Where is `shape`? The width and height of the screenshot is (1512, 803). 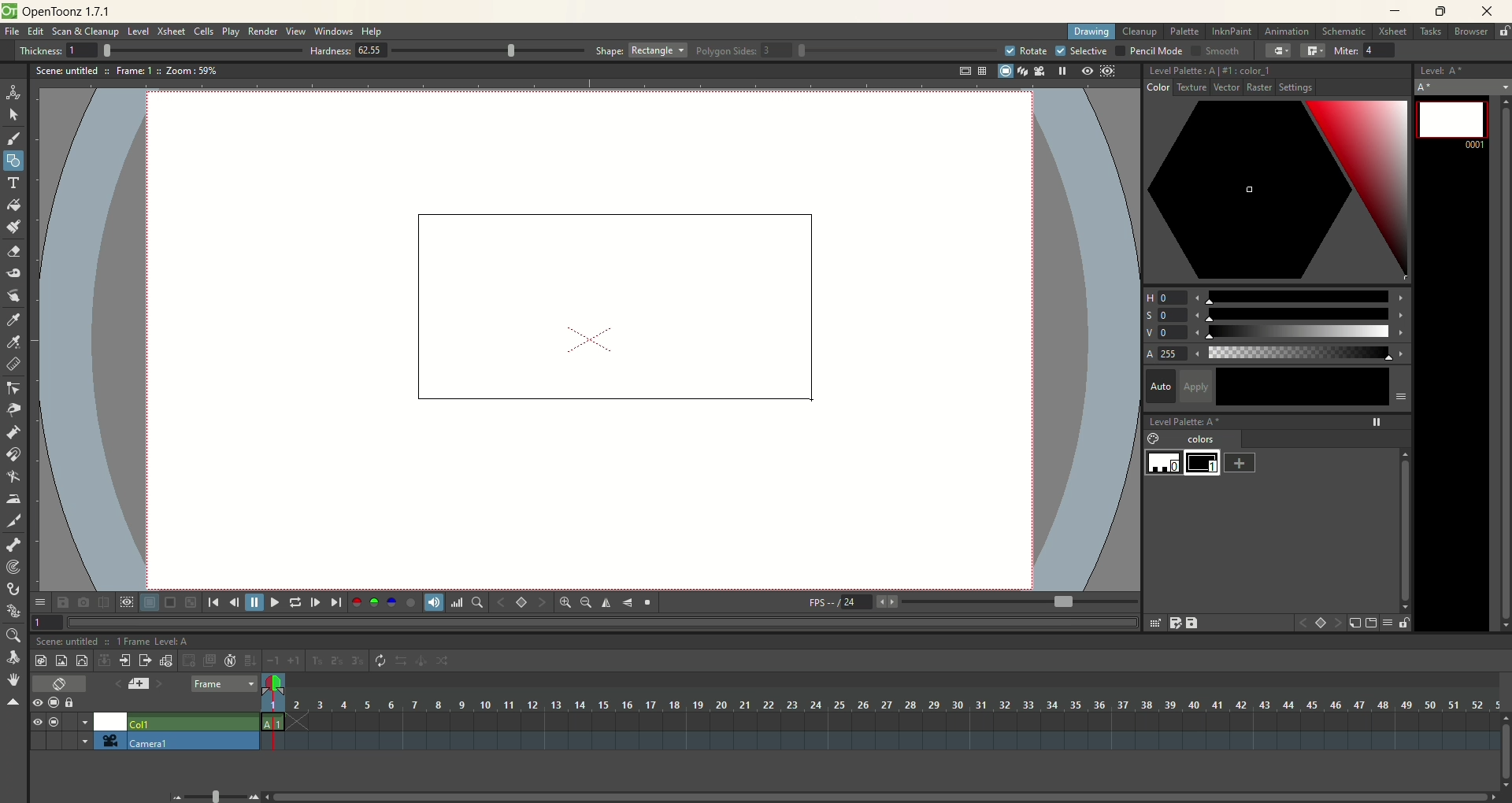 shape is located at coordinates (642, 50).